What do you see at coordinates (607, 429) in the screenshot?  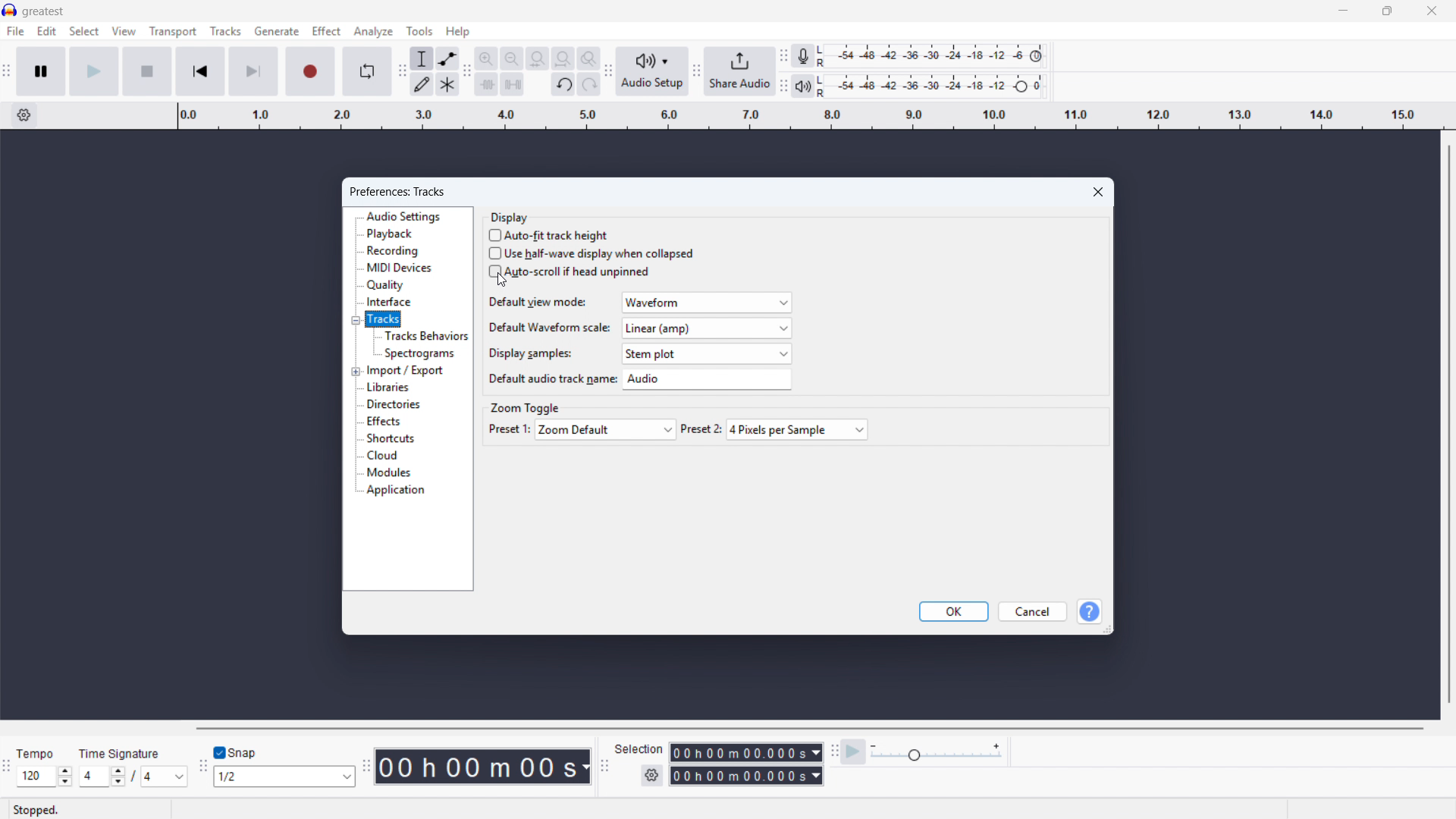 I see `Preset one ` at bounding box center [607, 429].